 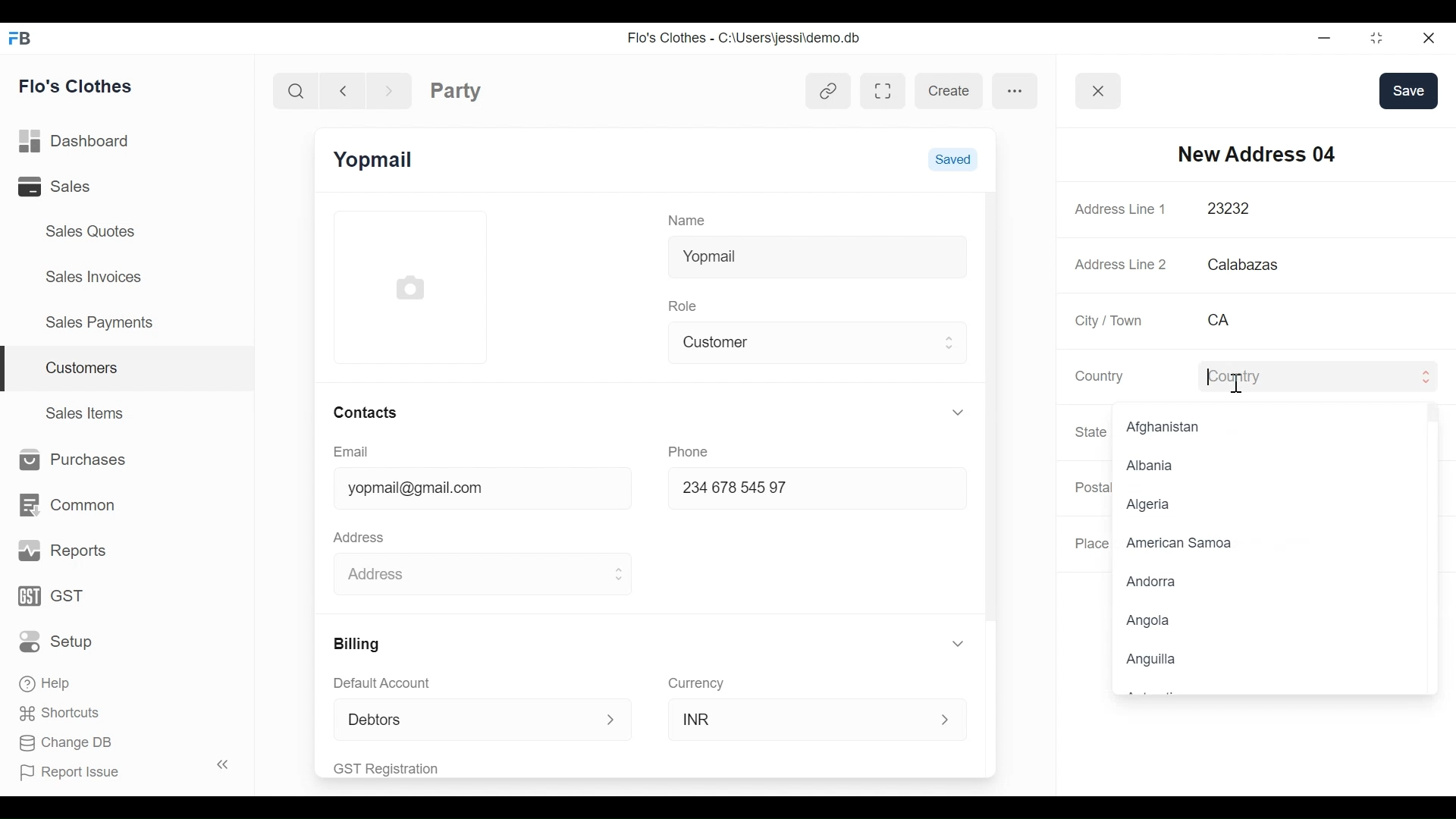 What do you see at coordinates (364, 412) in the screenshot?
I see `Contacts` at bounding box center [364, 412].